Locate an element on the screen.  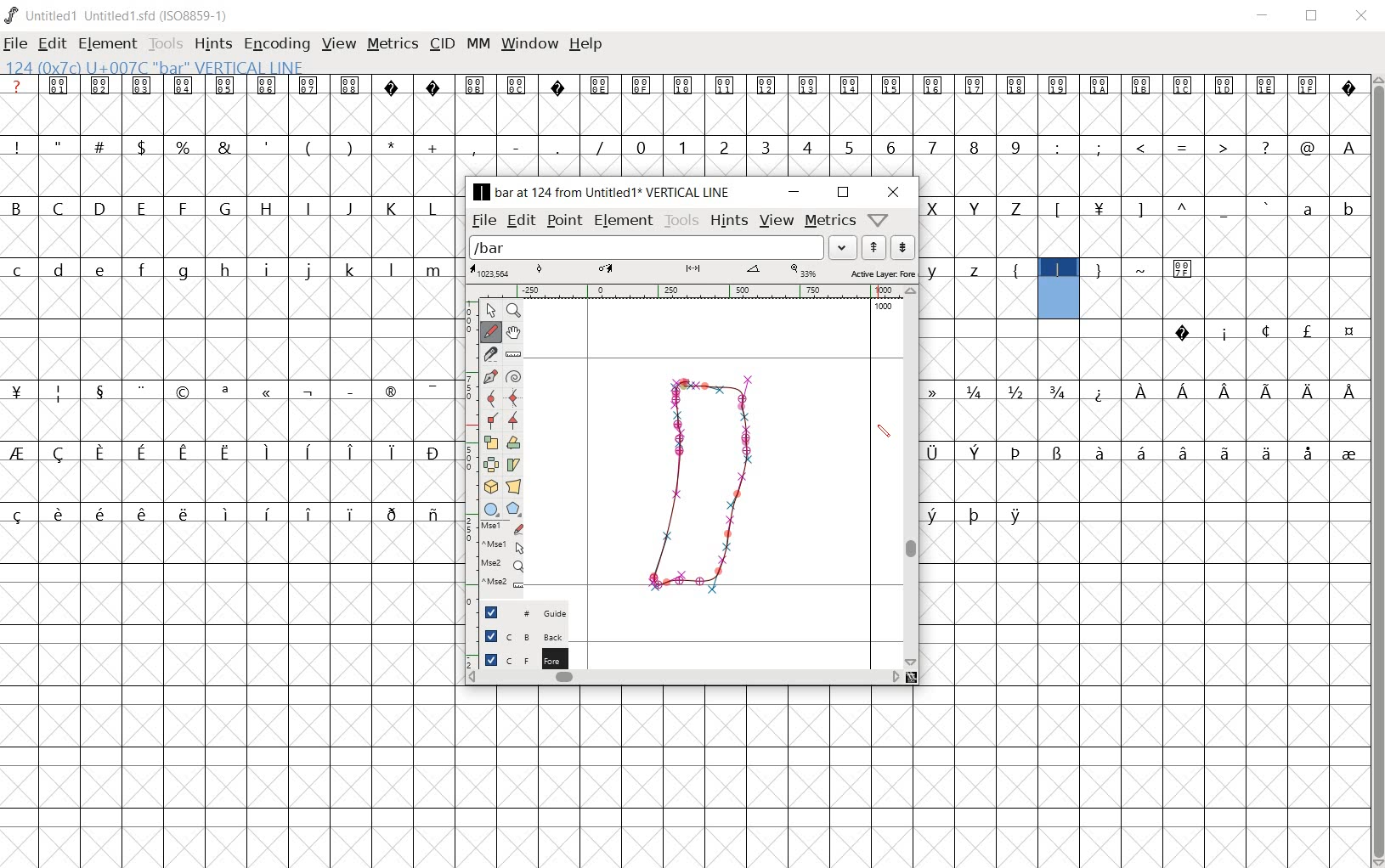
Rotate the selection is located at coordinates (515, 442).